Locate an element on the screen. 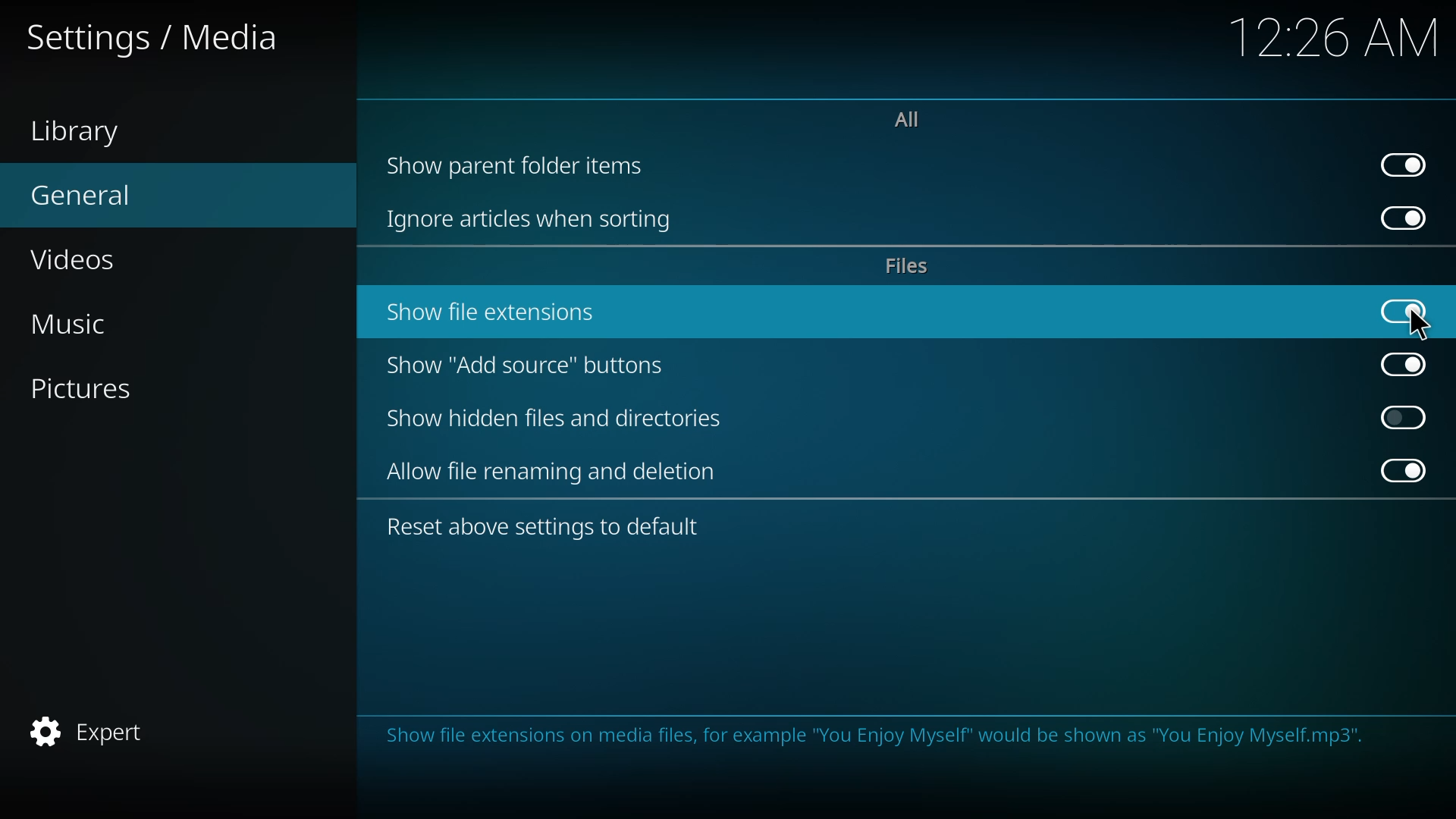 Image resolution: width=1456 pixels, height=819 pixels. cursor is located at coordinates (1417, 326).